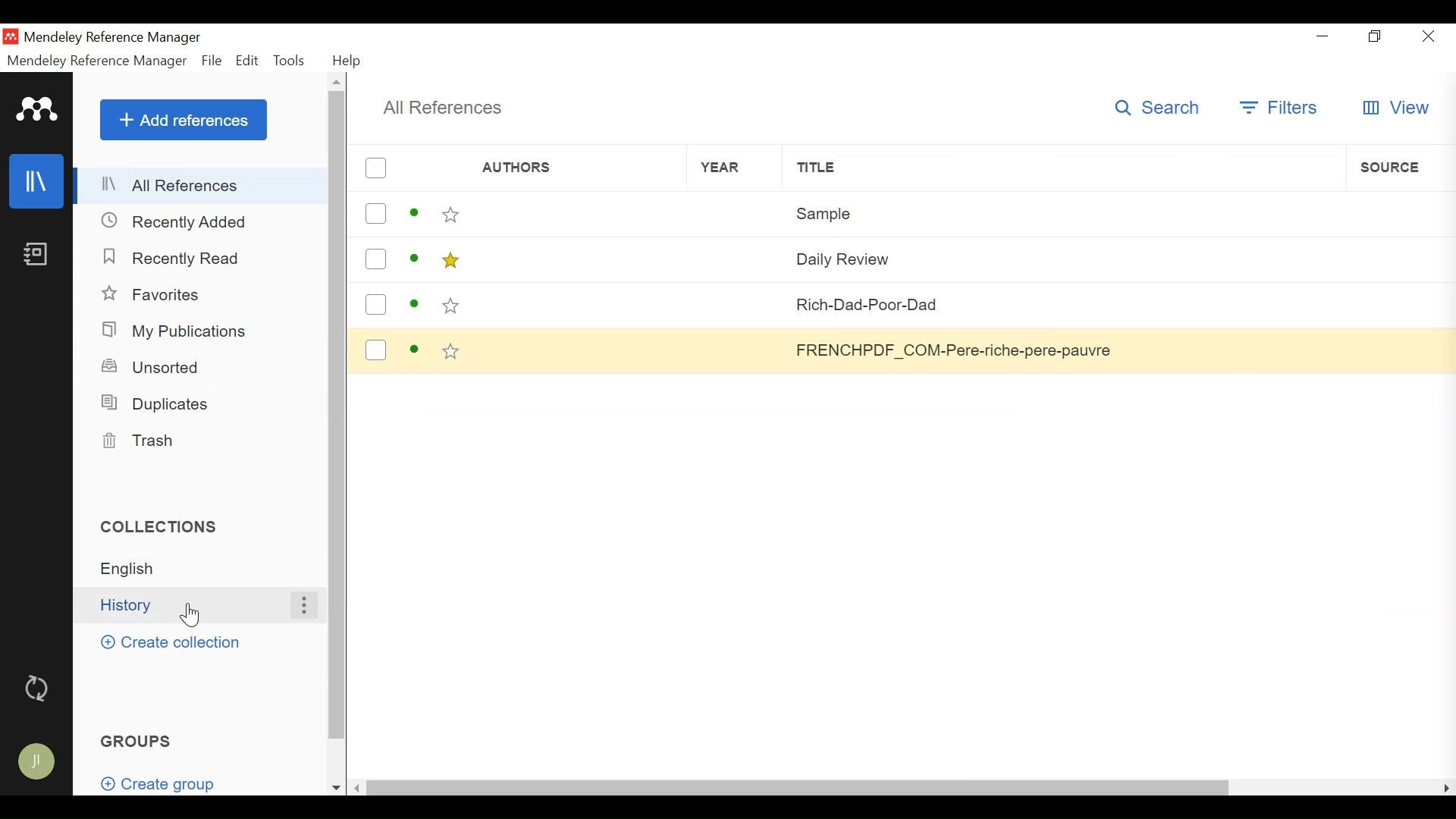 The image size is (1456, 819). Describe the element at coordinates (576, 305) in the screenshot. I see `Authors` at that location.